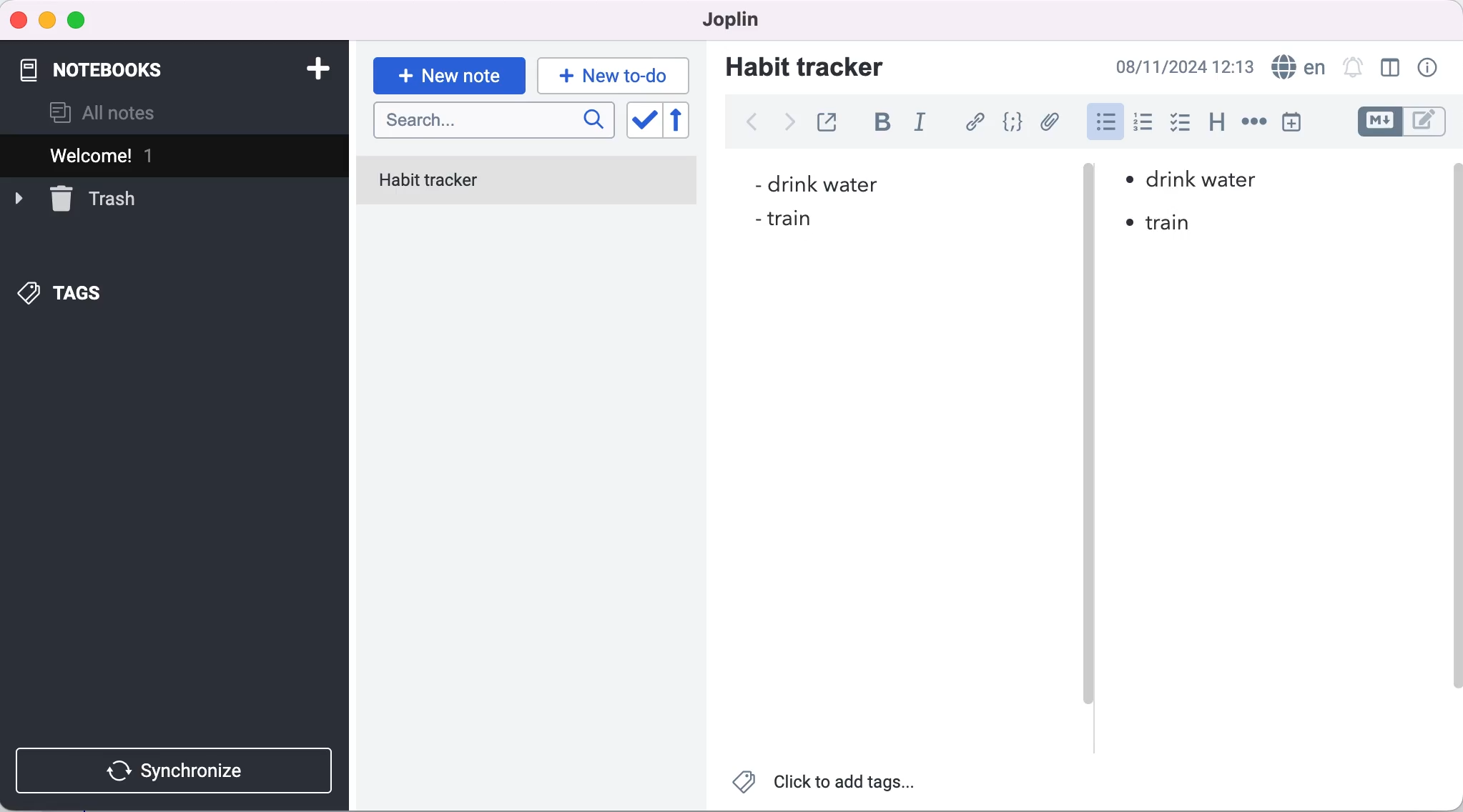 This screenshot has height=812, width=1463. What do you see at coordinates (177, 771) in the screenshot?
I see `synchronize` at bounding box center [177, 771].